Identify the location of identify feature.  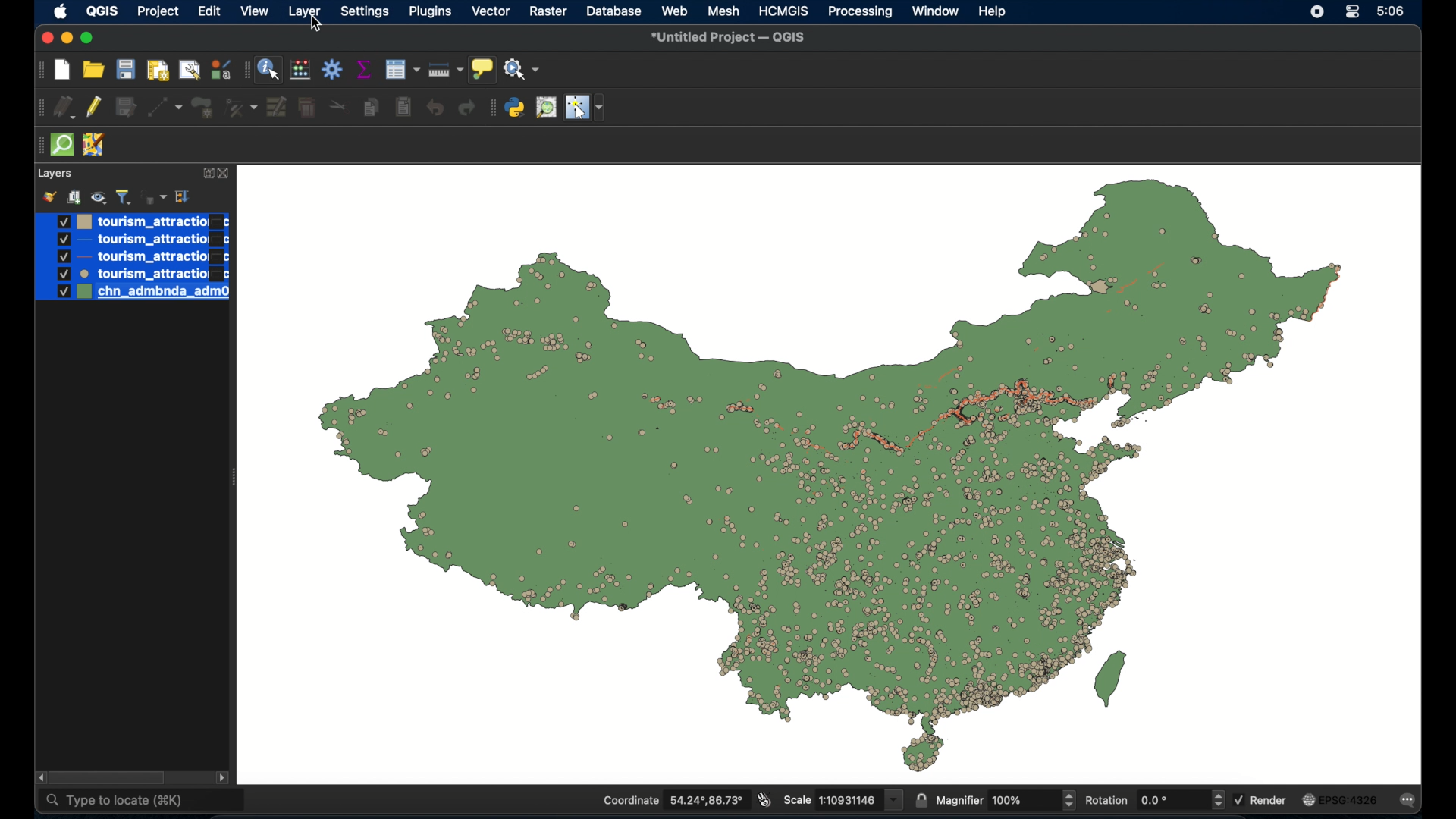
(268, 69).